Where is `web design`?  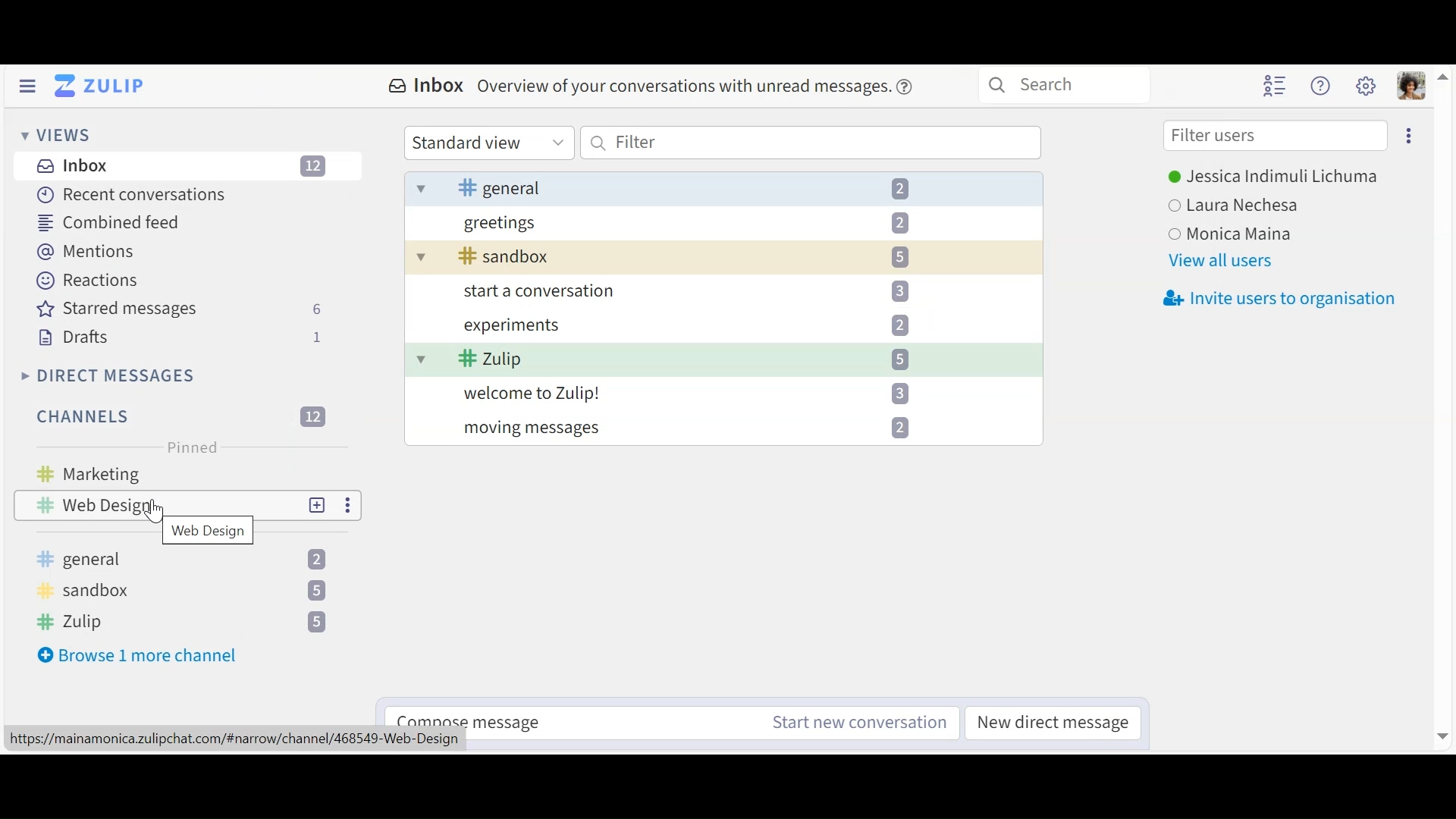 web design is located at coordinates (160, 506).